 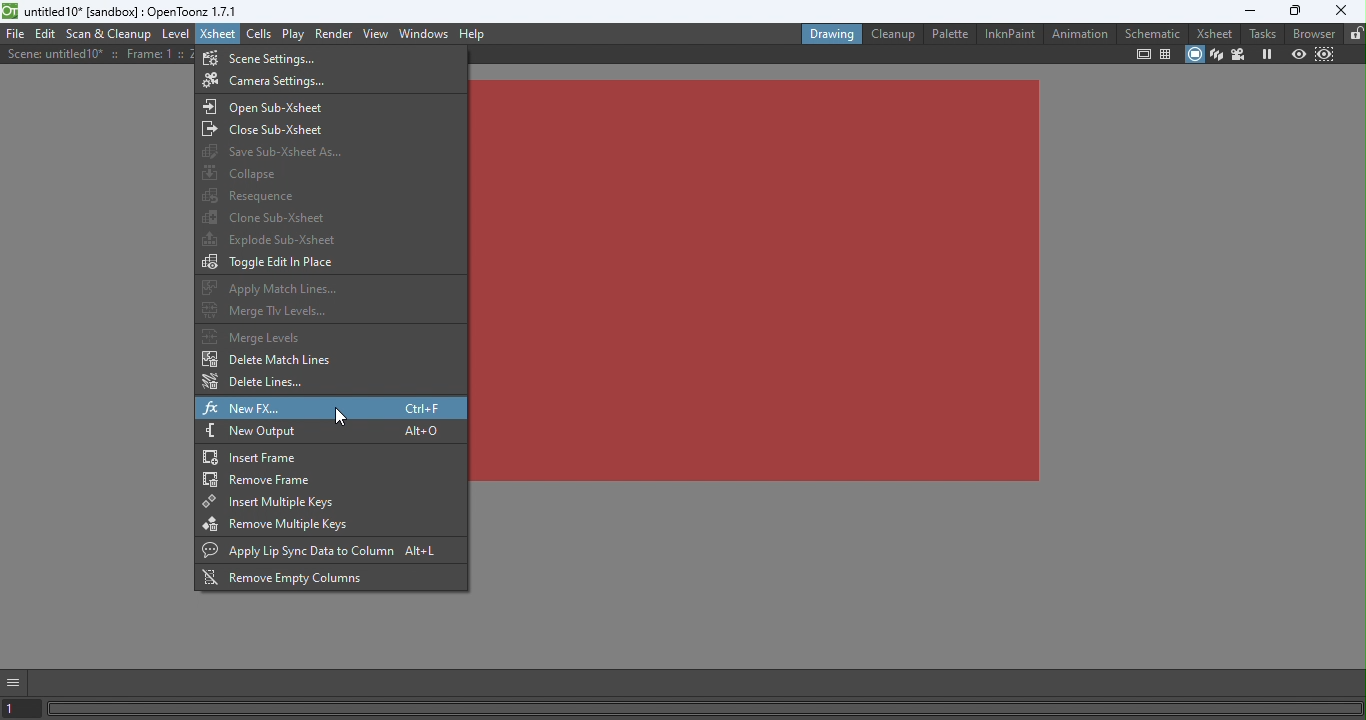 What do you see at coordinates (426, 33) in the screenshot?
I see `Windows` at bounding box center [426, 33].